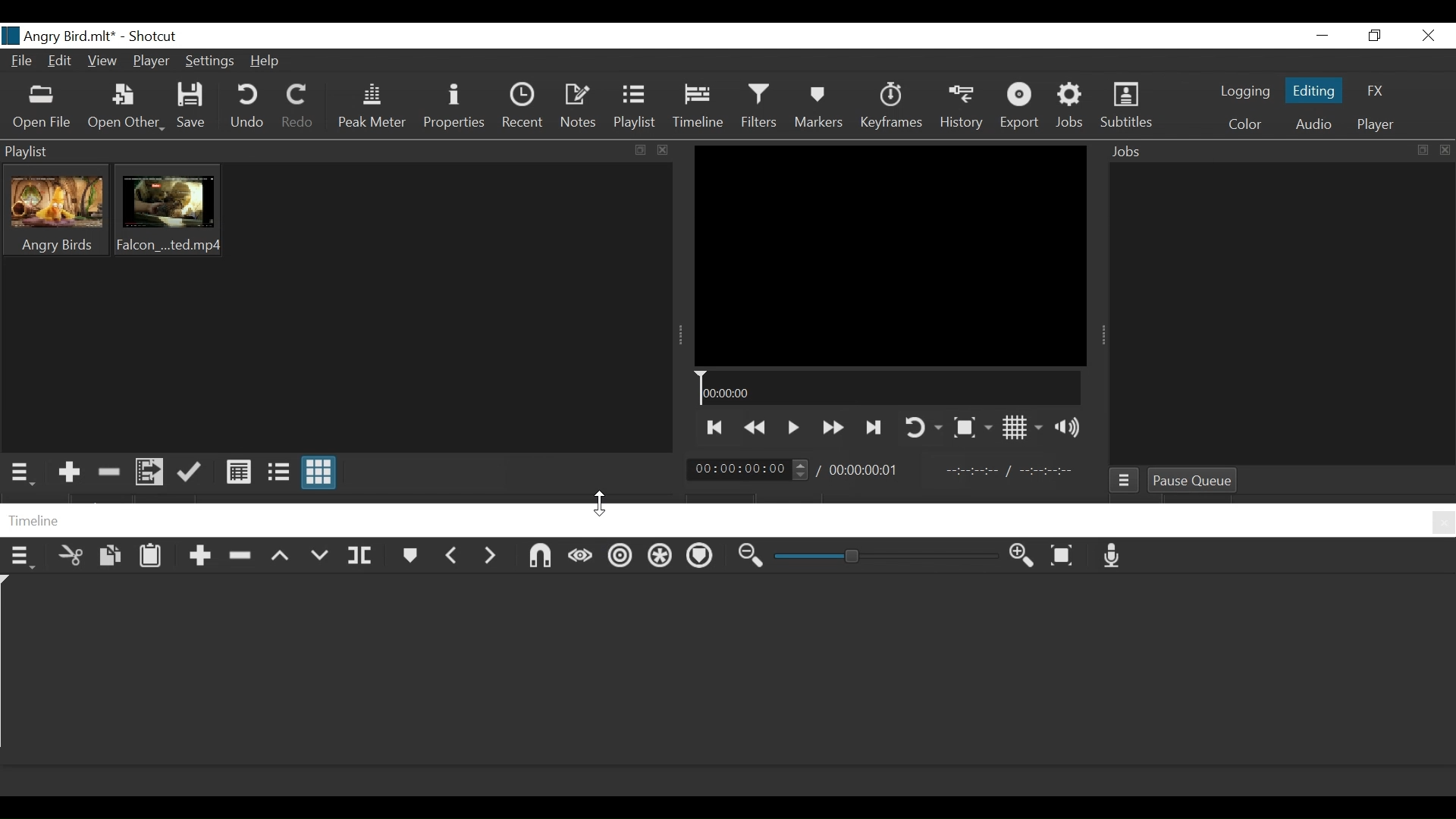 This screenshot has width=1456, height=819. Describe the element at coordinates (1067, 557) in the screenshot. I see `Zoom timeline to fit` at that location.